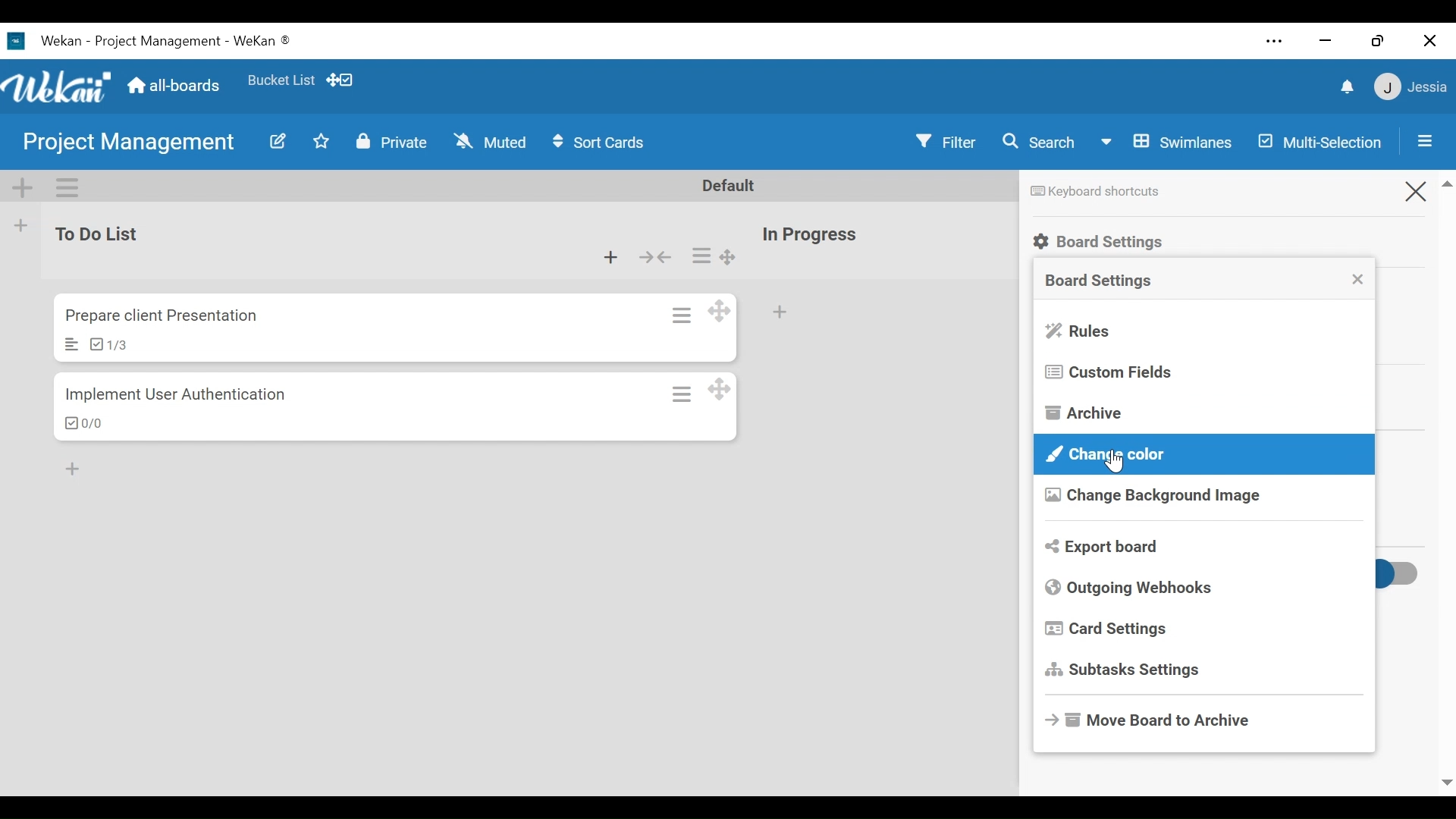 The height and width of the screenshot is (819, 1456). I want to click on Subtasks Settings, so click(1126, 670).